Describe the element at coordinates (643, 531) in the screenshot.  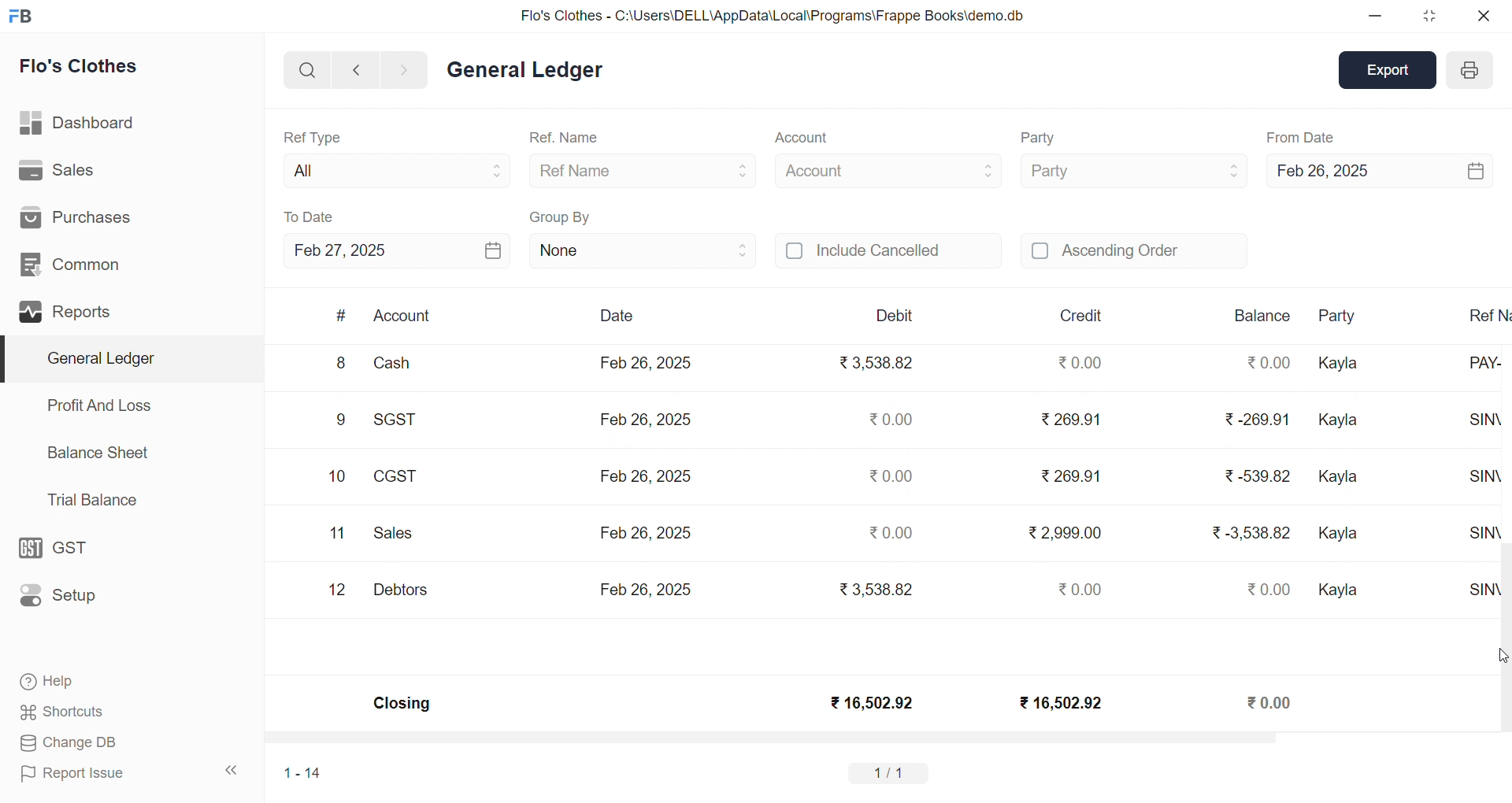
I see `Feb 26, 2025` at that location.